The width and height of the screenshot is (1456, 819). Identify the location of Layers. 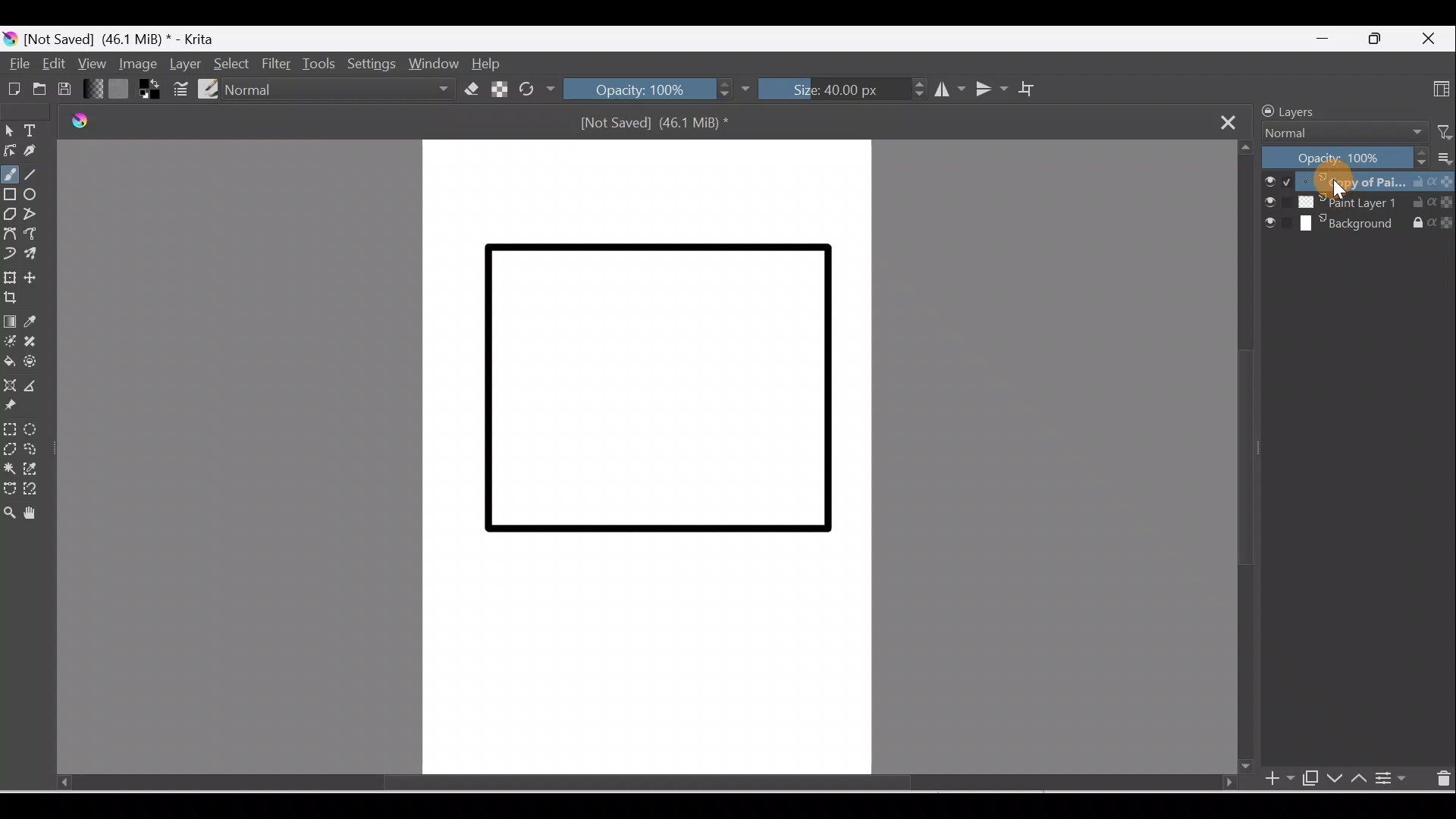
(1314, 110).